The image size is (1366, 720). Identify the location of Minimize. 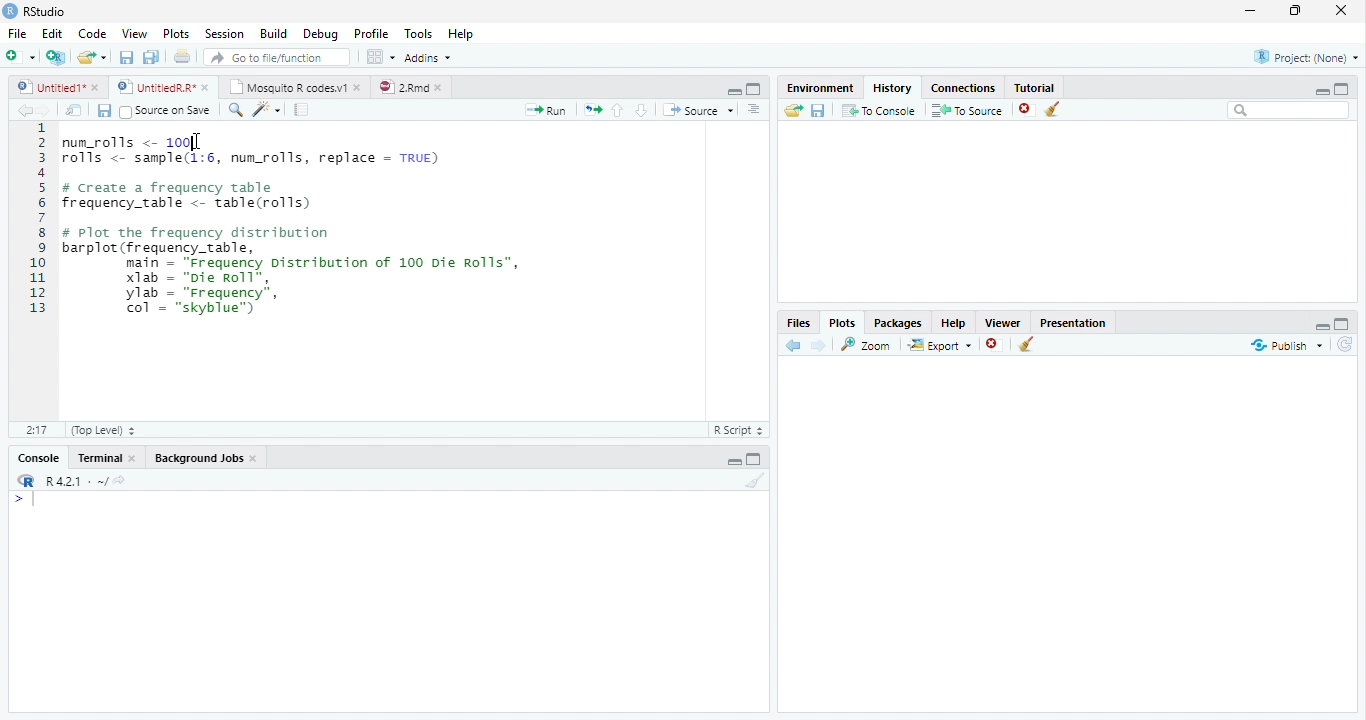
(1251, 11).